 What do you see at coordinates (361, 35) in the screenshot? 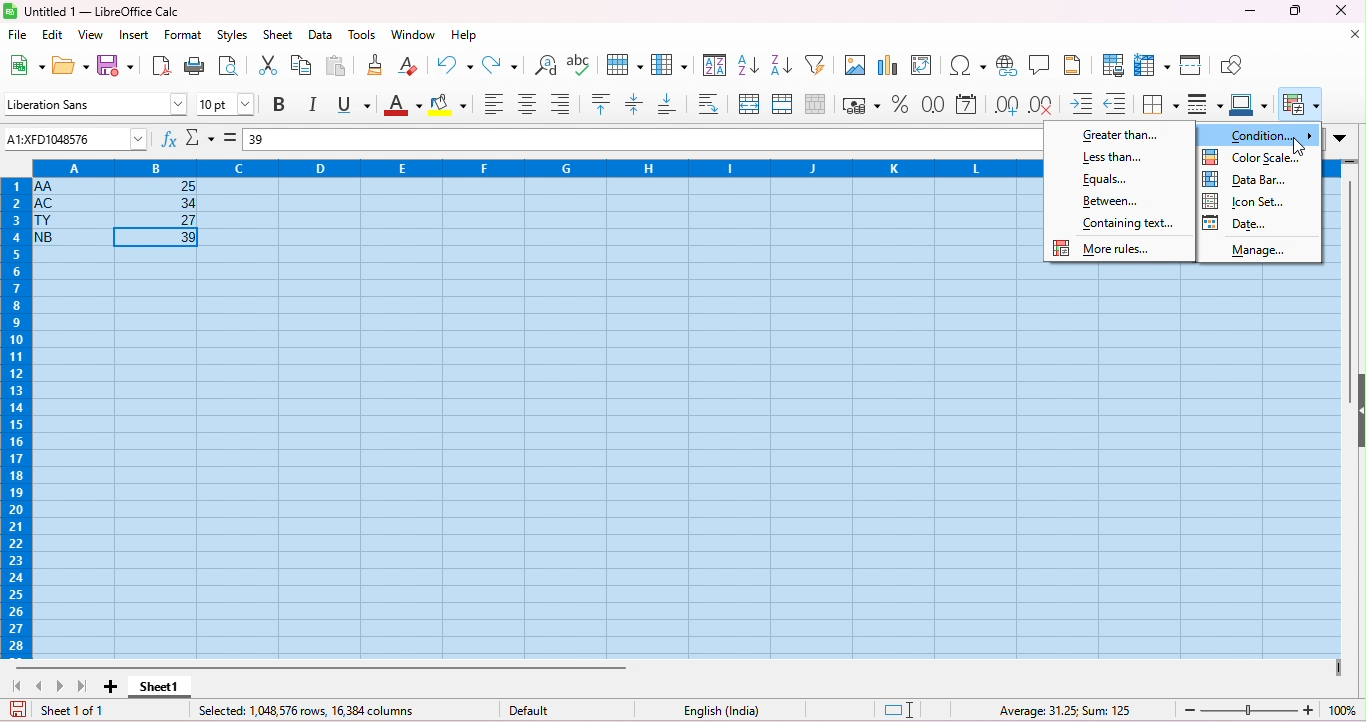
I see `tools` at bounding box center [361, 35].